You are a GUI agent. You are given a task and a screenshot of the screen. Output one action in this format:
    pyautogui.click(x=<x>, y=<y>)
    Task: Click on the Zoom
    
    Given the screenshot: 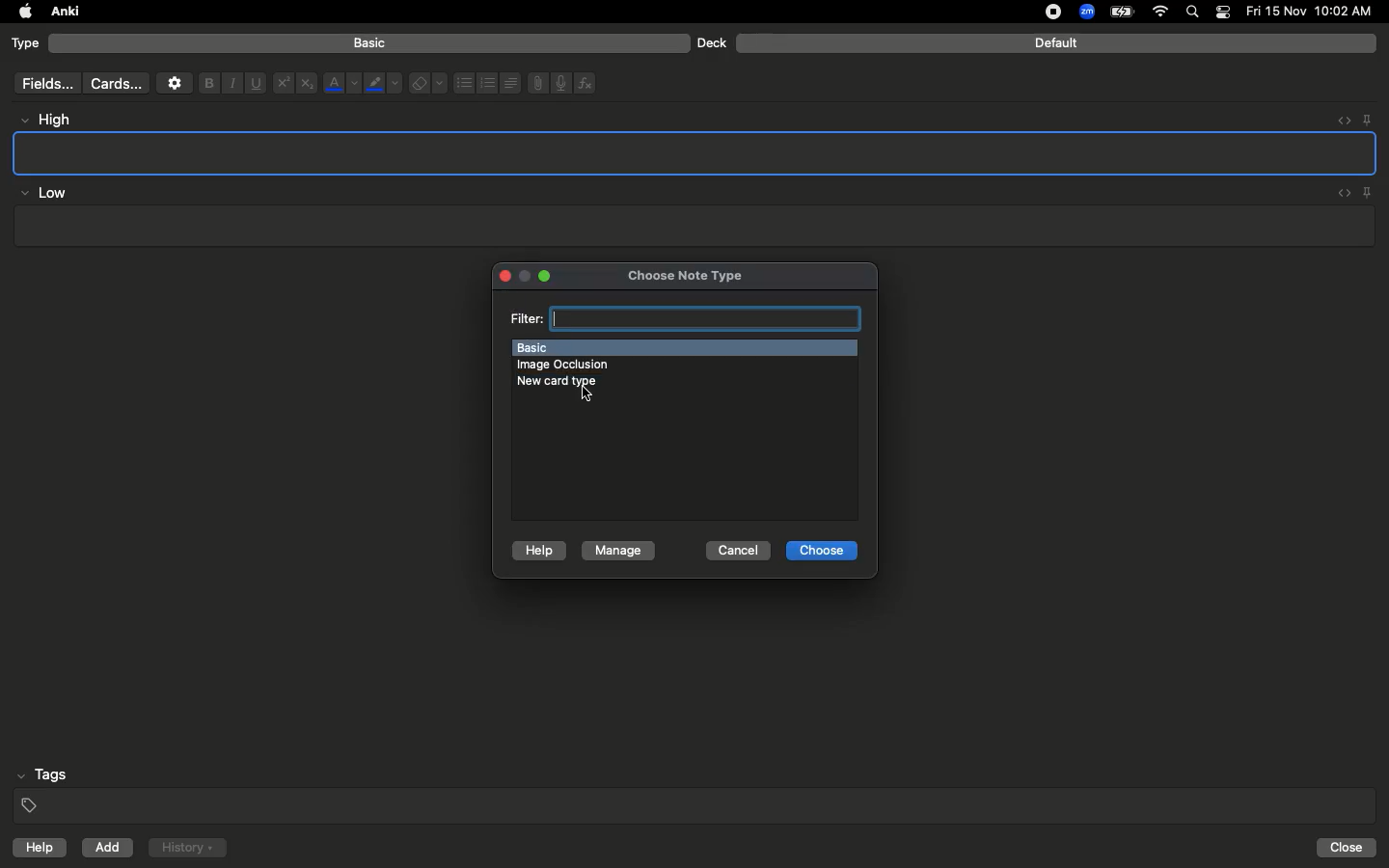 What is the action you would take?
    pyautogui.click(x=1085, y=13)
    